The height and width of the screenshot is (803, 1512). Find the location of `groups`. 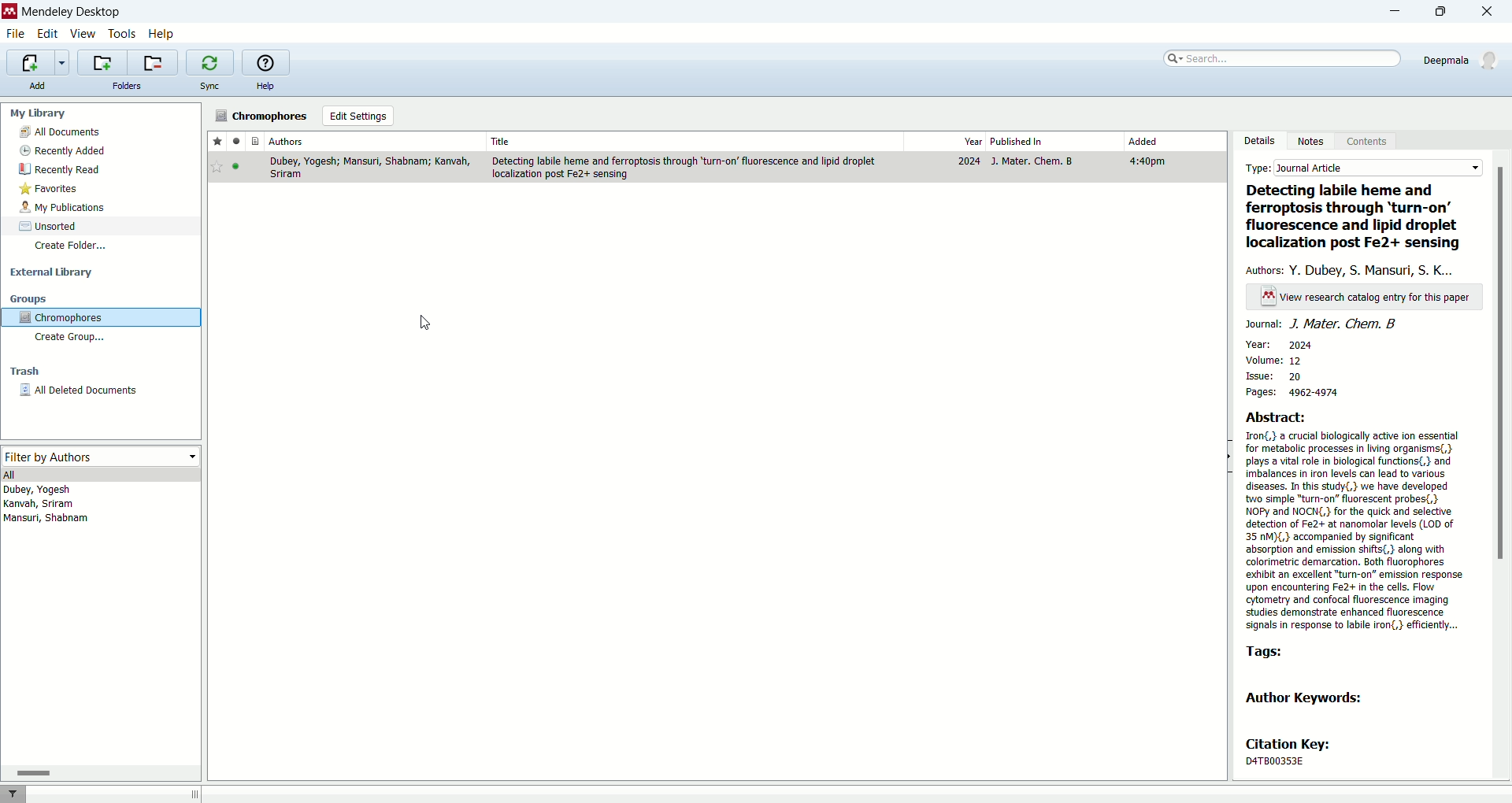

groups is located at coordinates (29, 298).